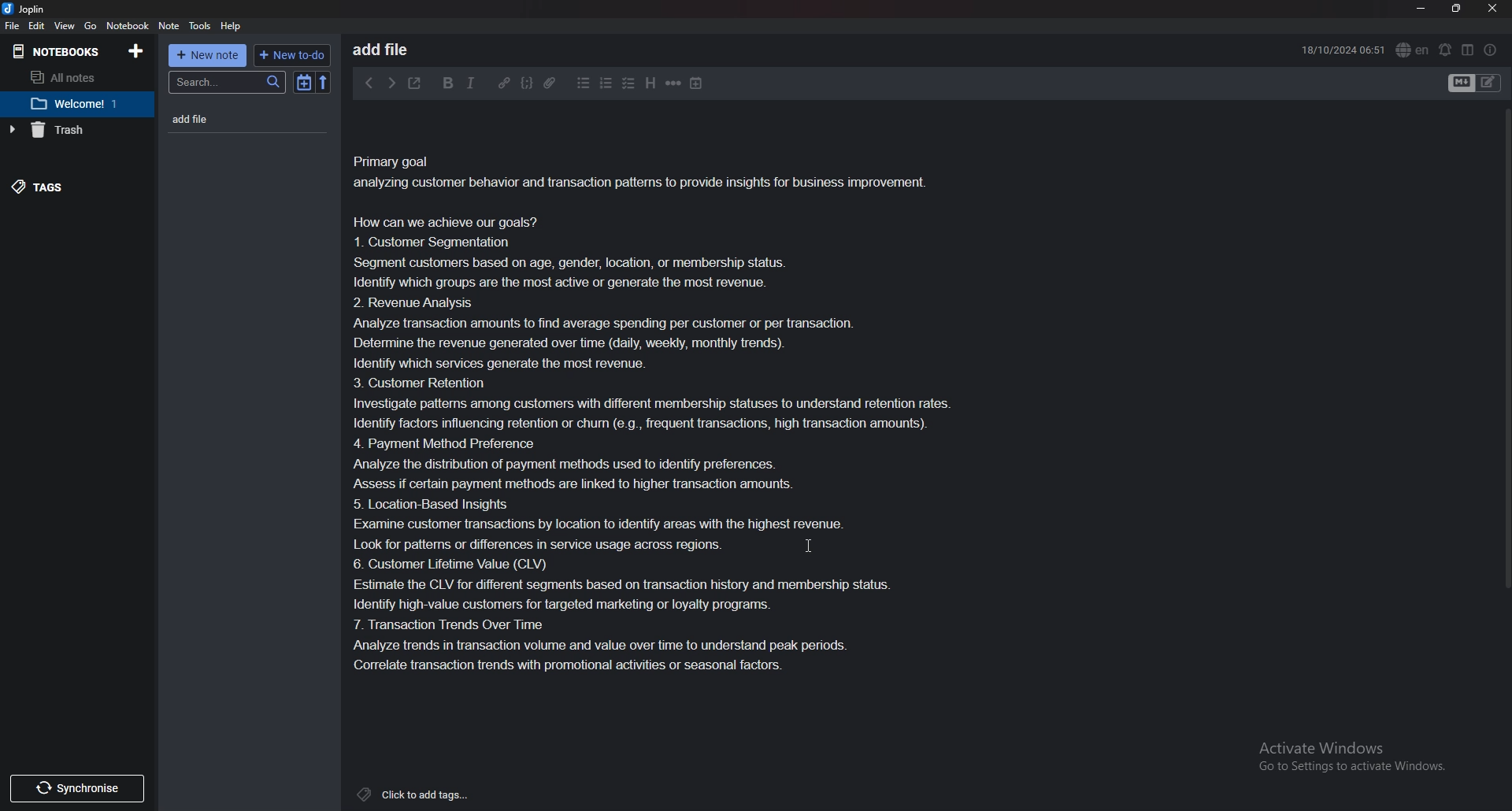  Describe the element at coordinates (324, 83) in the screenshot. I see `Reverse sort order` at that location.